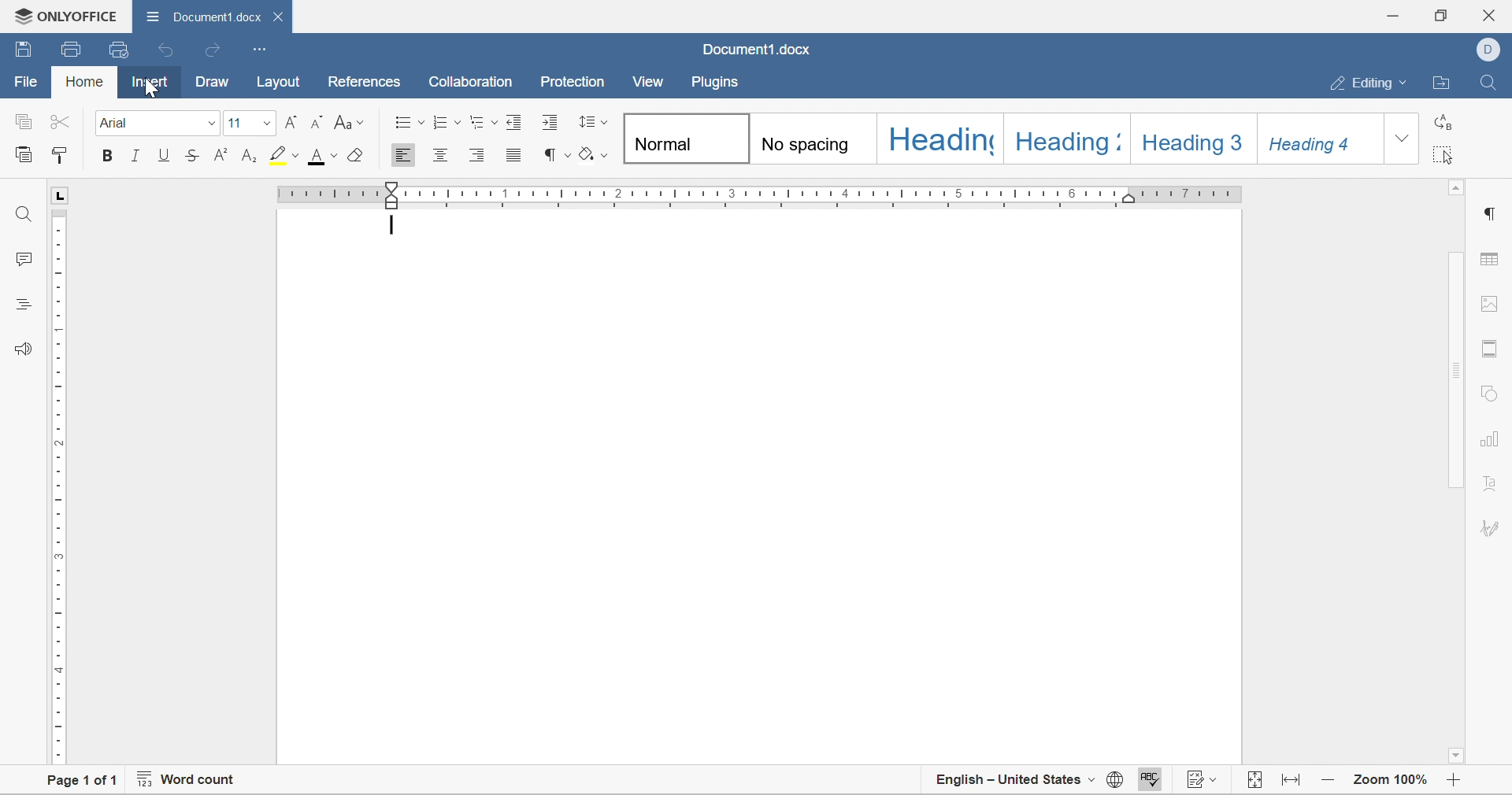 The image size is (1512, 795). I want to click on Set document language, so click(1114, 782).